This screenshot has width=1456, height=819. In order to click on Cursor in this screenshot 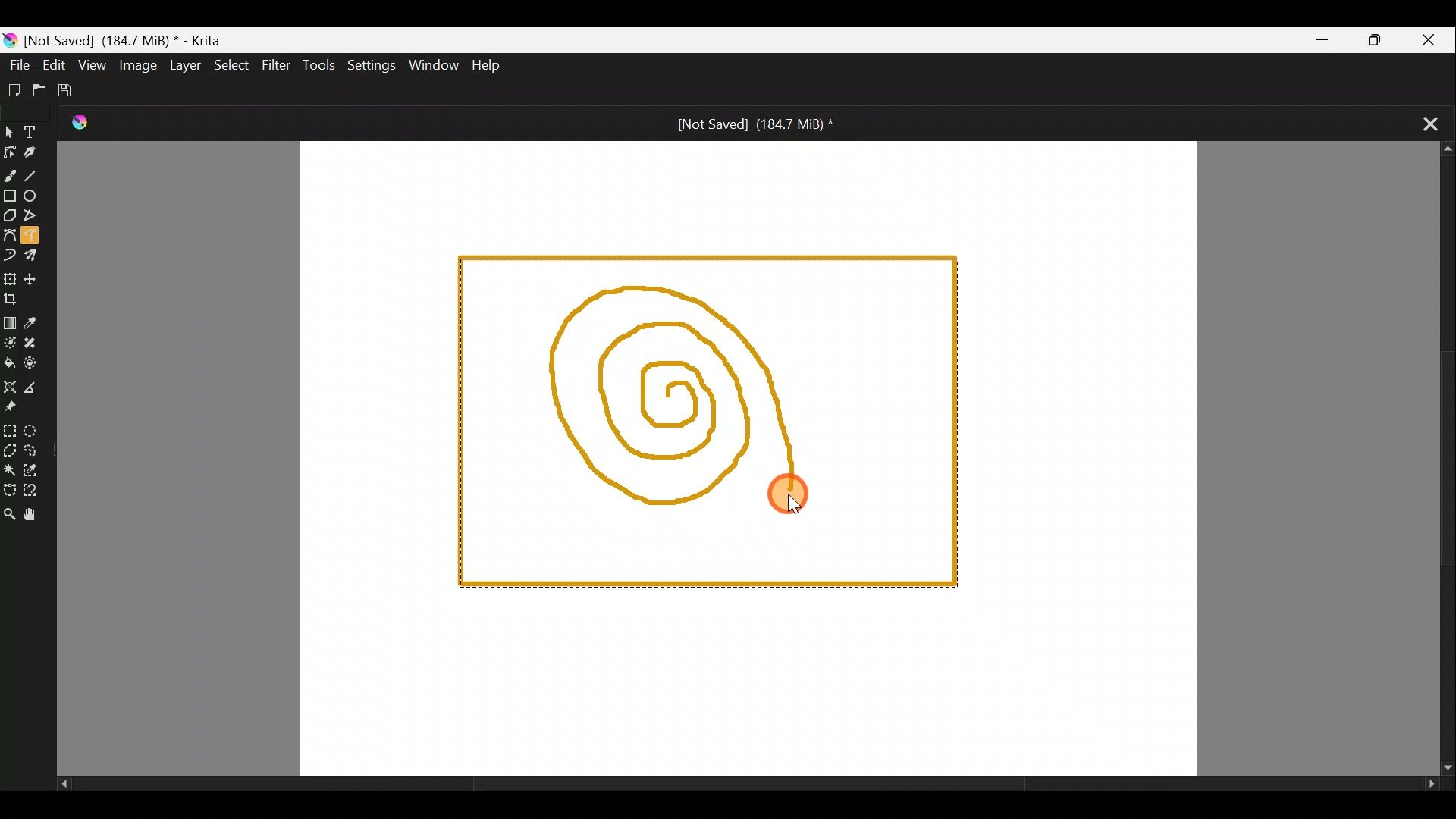, I will do `click(786, 495)`.